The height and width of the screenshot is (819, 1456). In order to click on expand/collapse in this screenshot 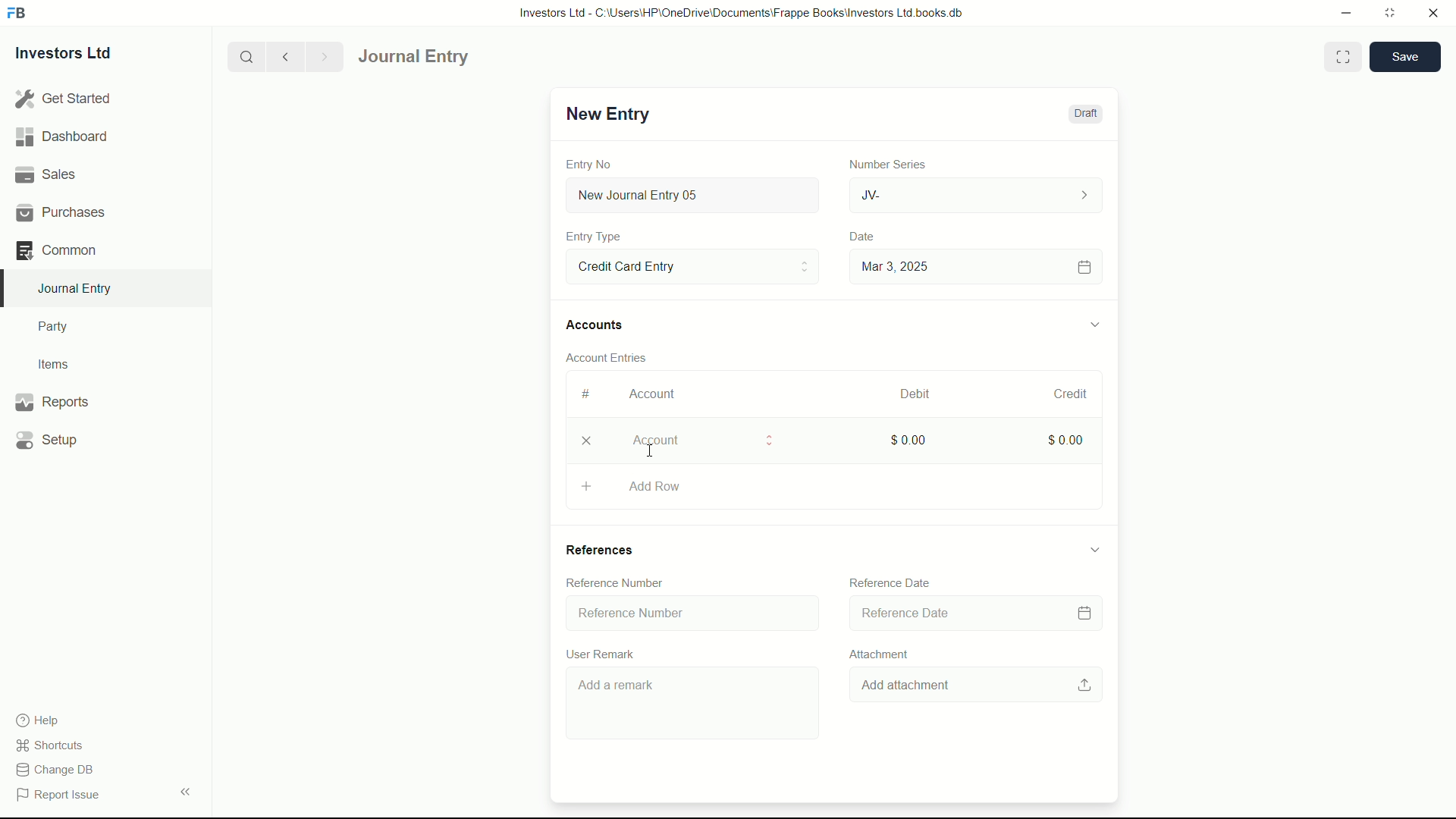, I will do `click(1094, 549)`.